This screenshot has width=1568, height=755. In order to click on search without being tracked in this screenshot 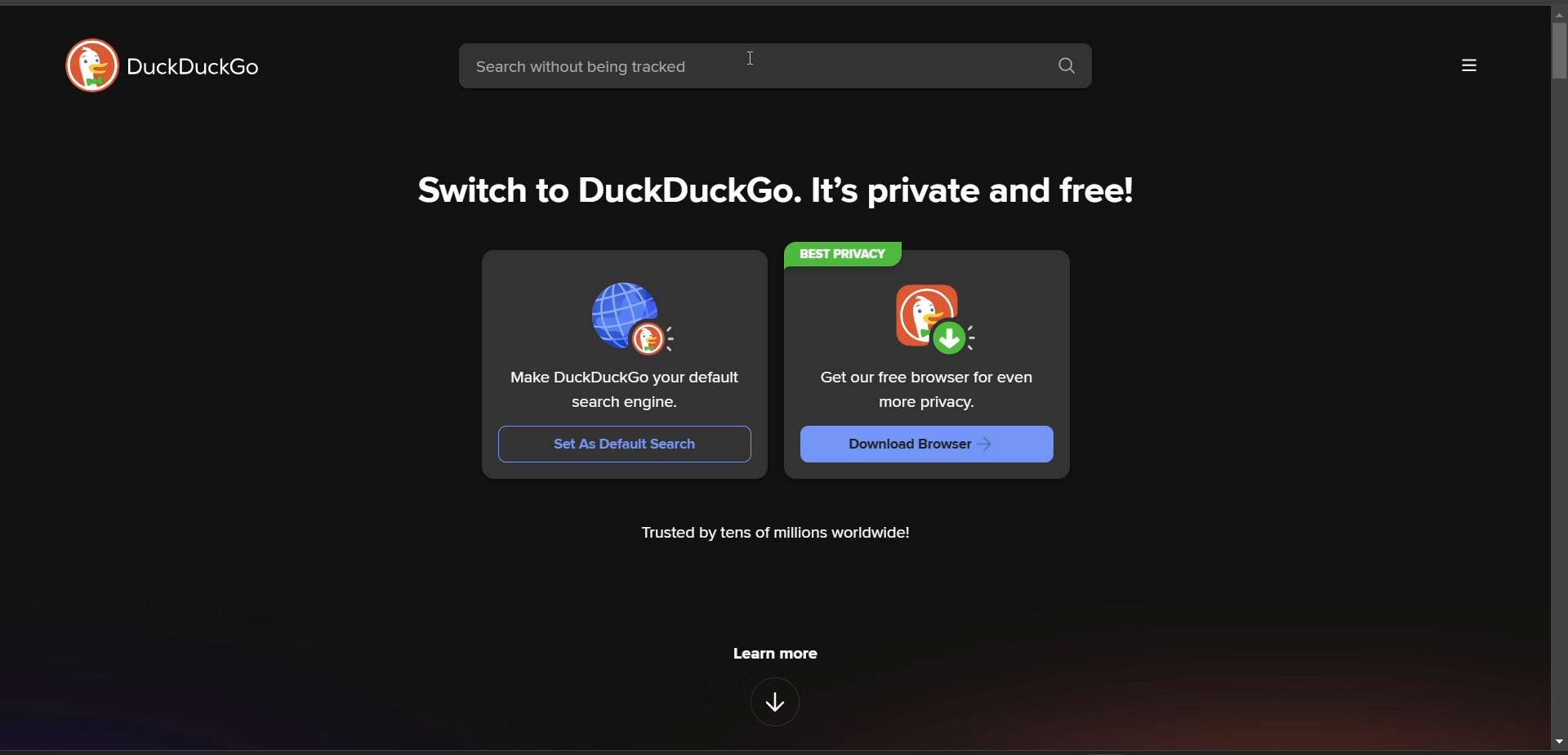, I will do `click(751, 65)`.